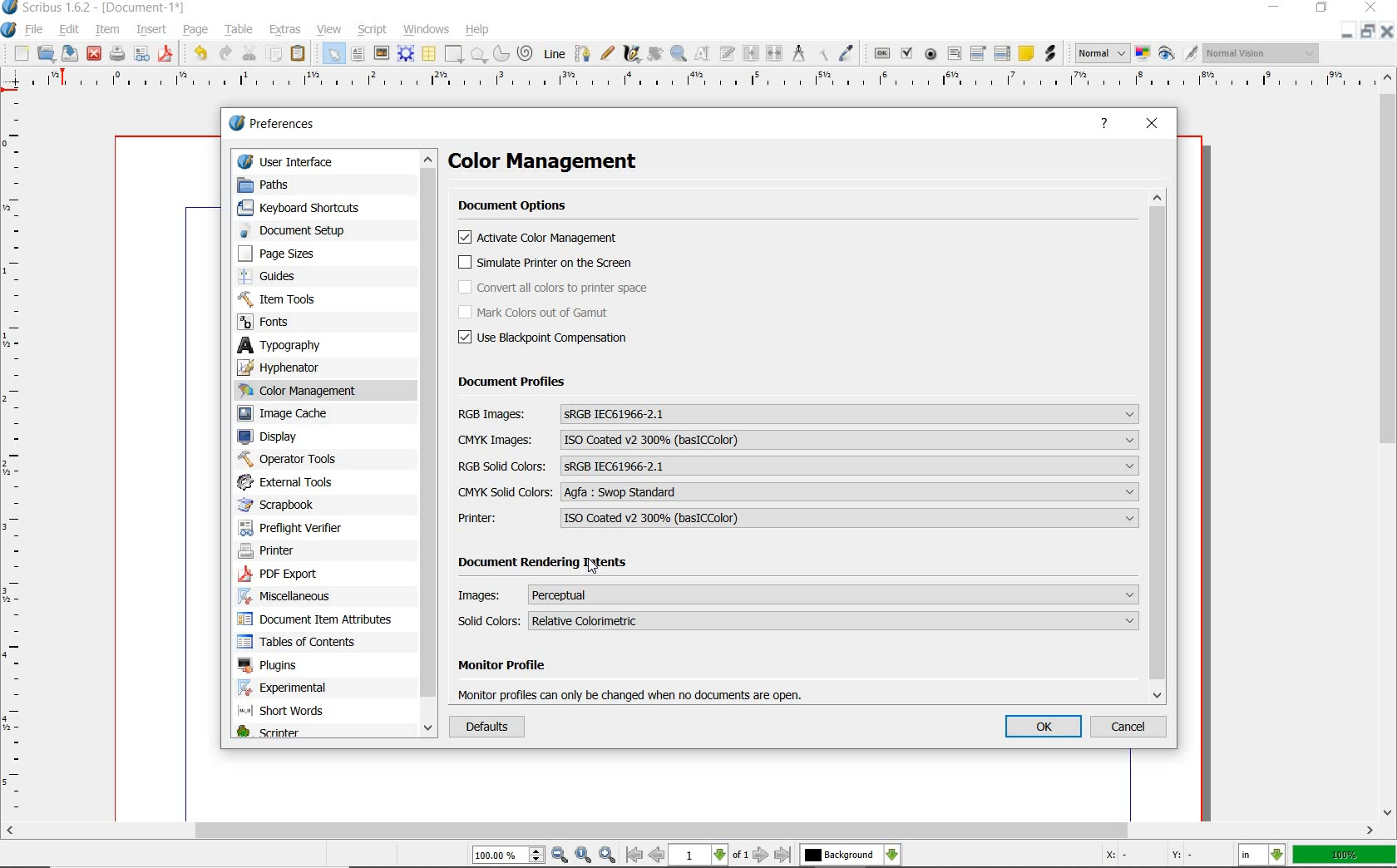  What do you see at coordinates (308, 712) in the screenshot?
I see `short words` at bounding box center [308, 712].